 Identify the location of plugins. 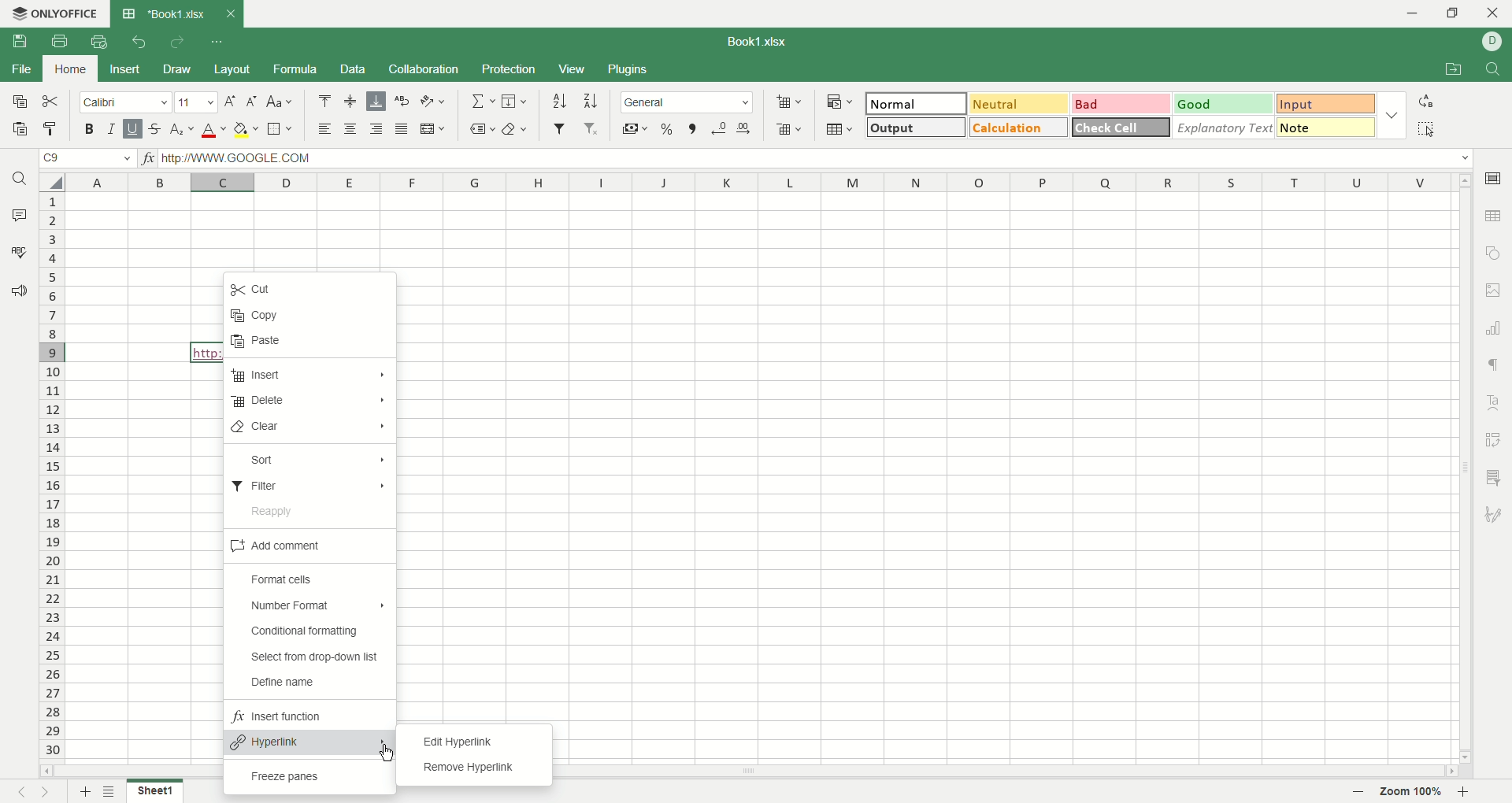
(628, 68).